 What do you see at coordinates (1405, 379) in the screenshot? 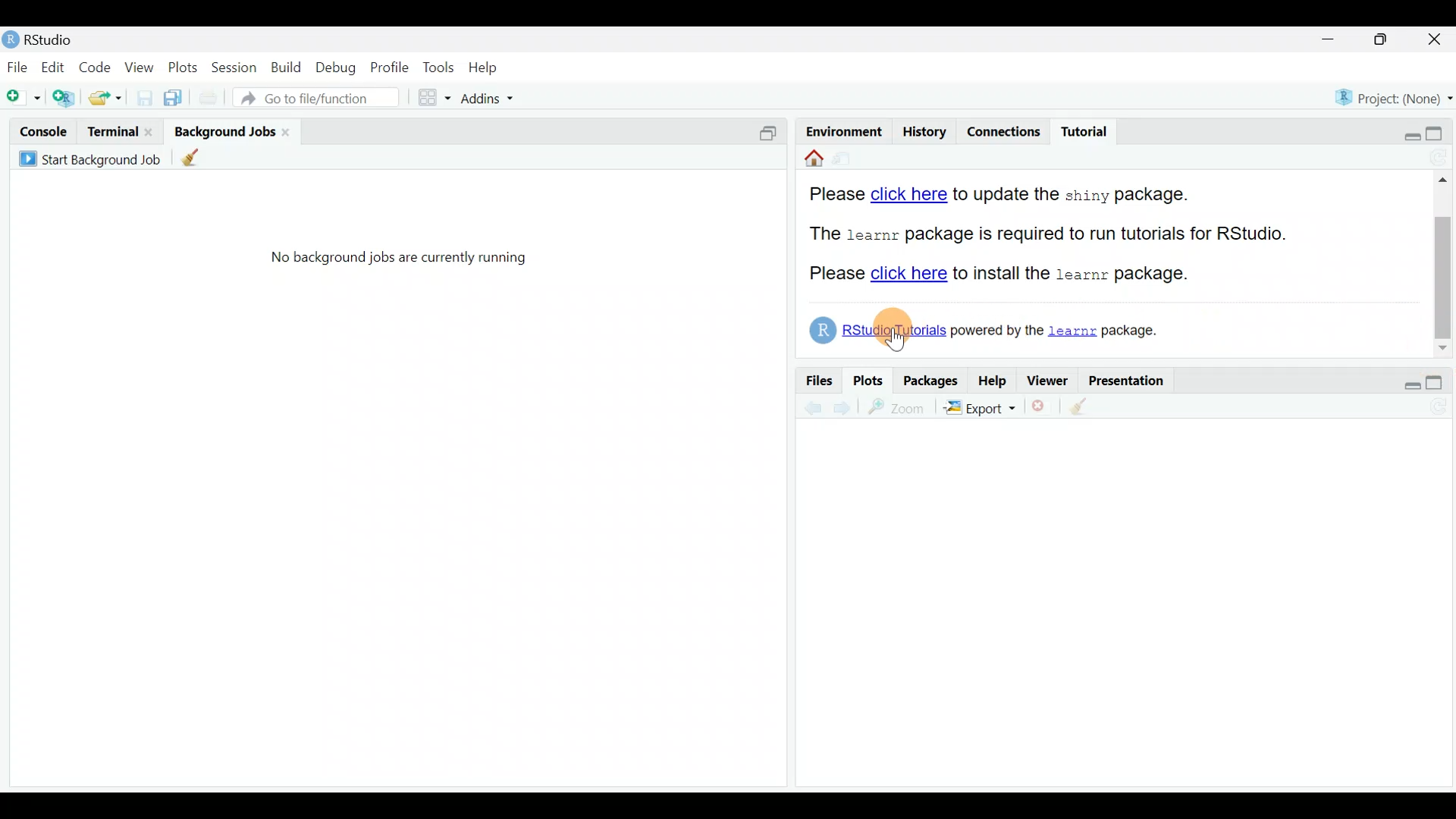
I see `restore down` at bounding box center [1405, 379].